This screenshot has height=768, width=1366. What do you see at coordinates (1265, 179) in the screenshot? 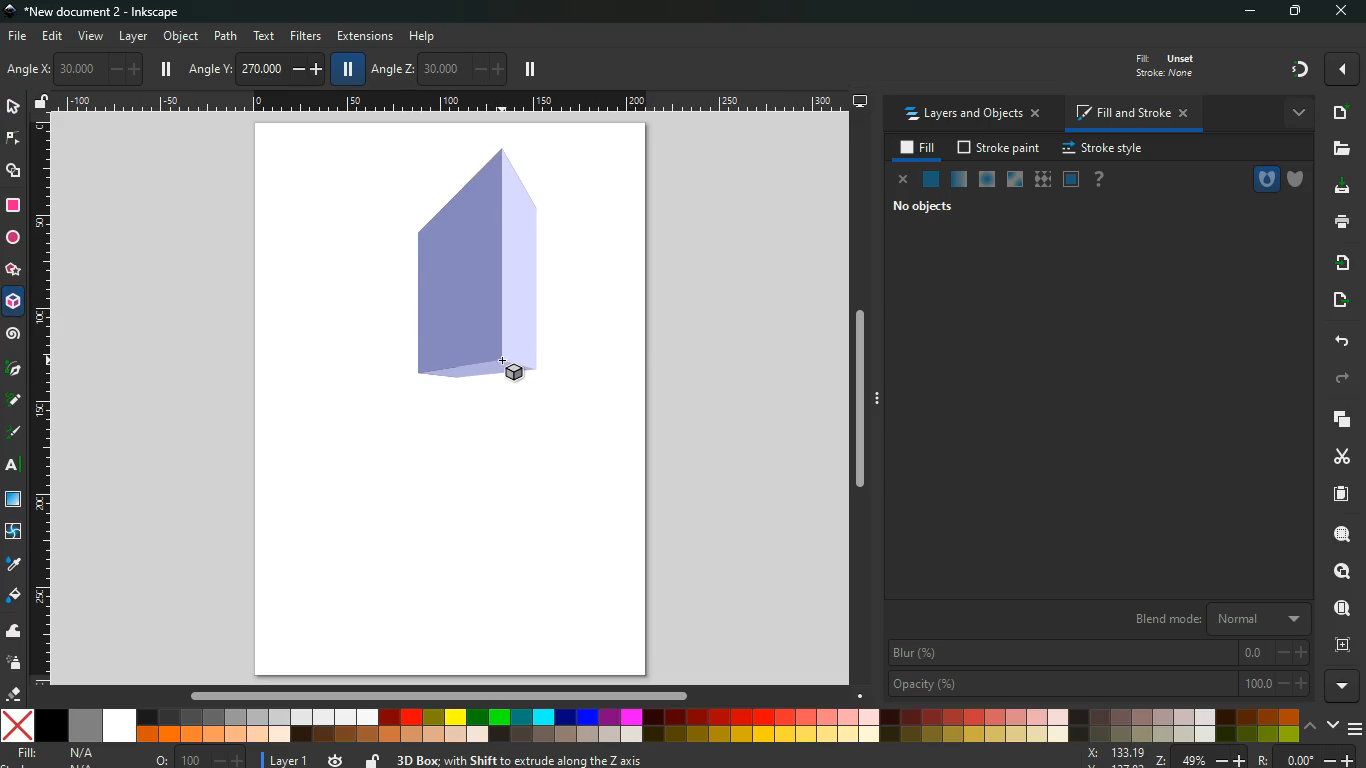
I see `hole` at bounding box center [1265, 179].